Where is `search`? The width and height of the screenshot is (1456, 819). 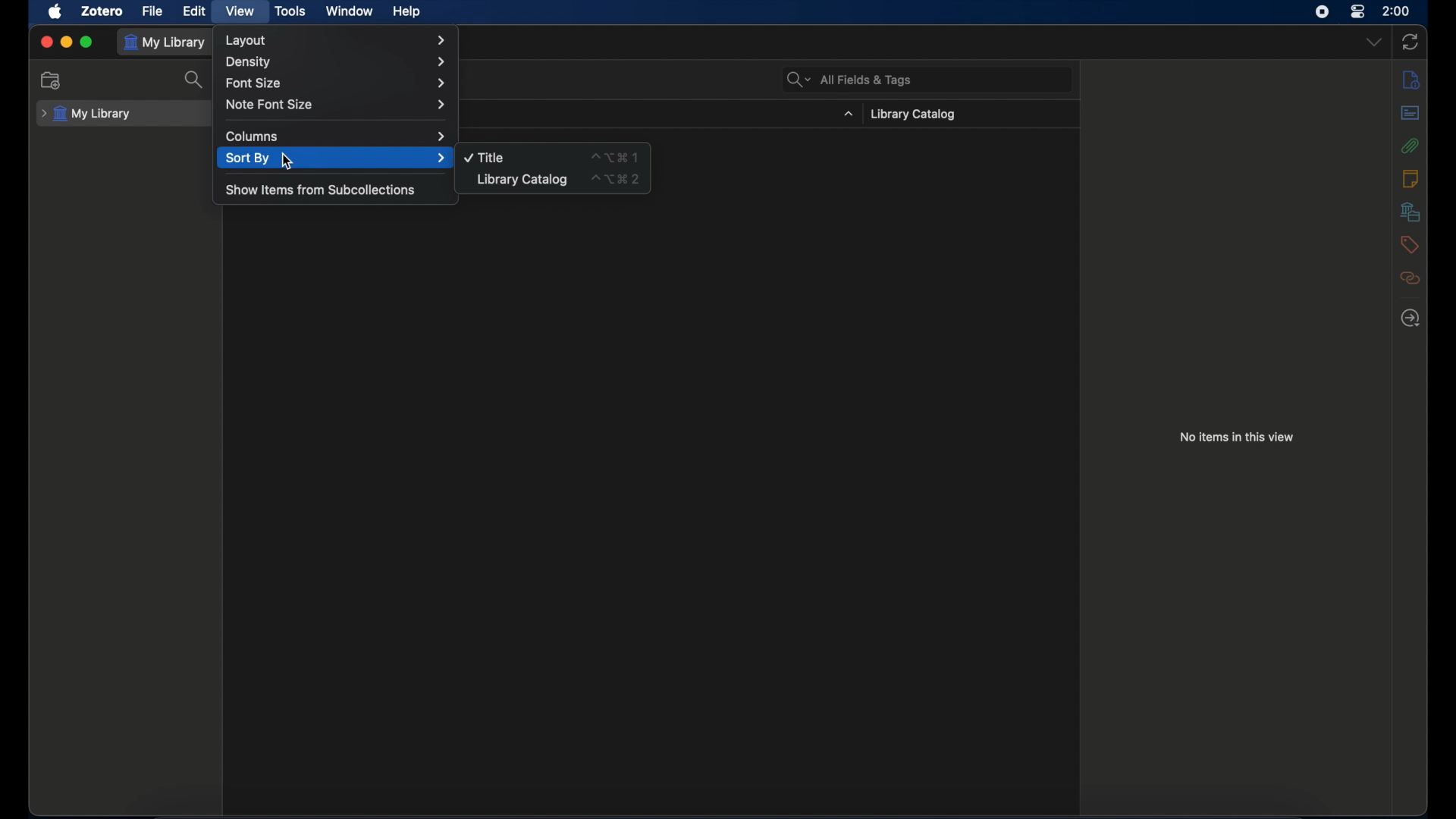 search is located at coordinates (195, 80).